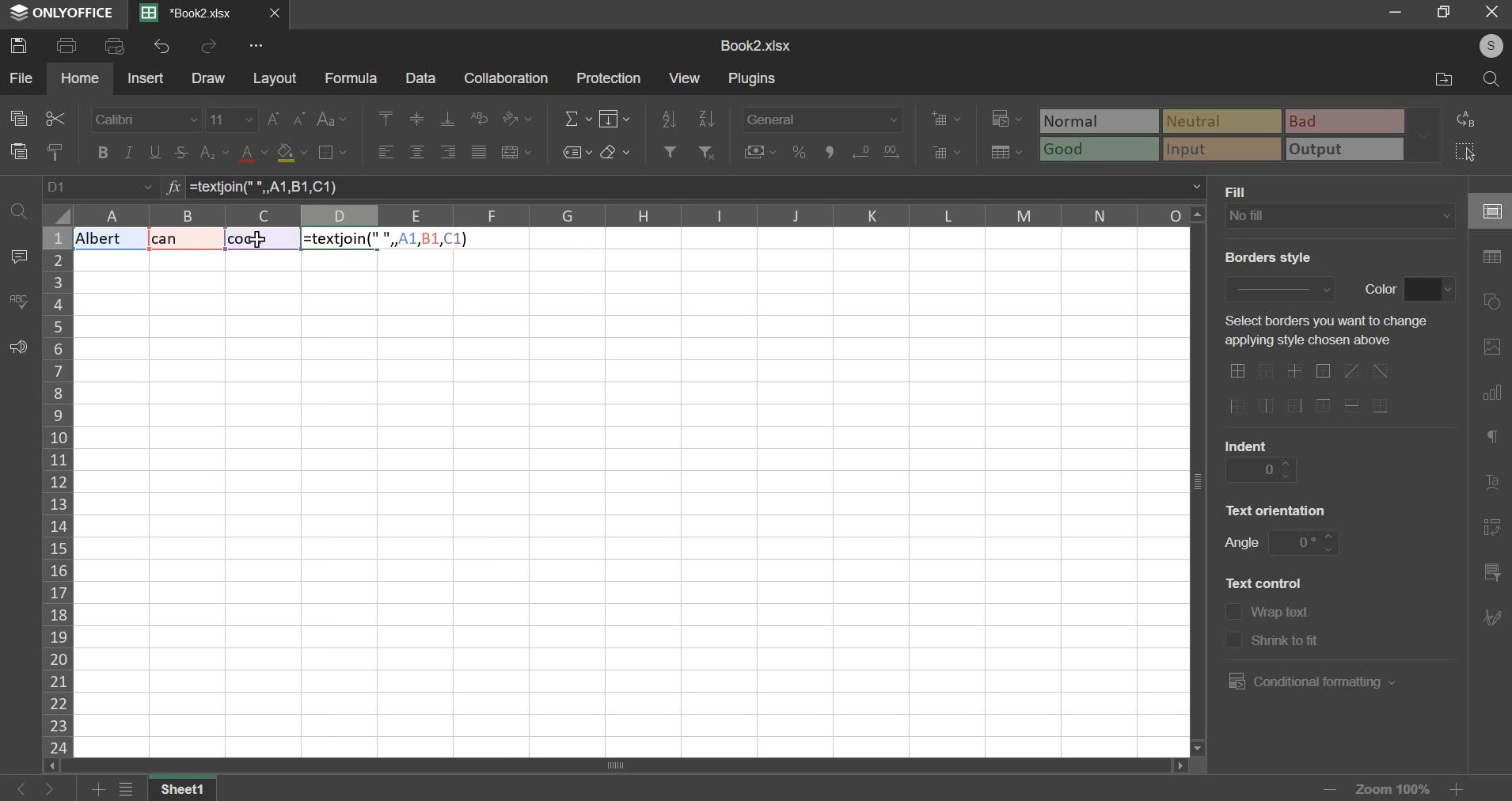 The height and width of the screenshot is (801, 1512). Describe the element at coordinates (1495, 302) in the screenshot. I see `shapes` at that location.